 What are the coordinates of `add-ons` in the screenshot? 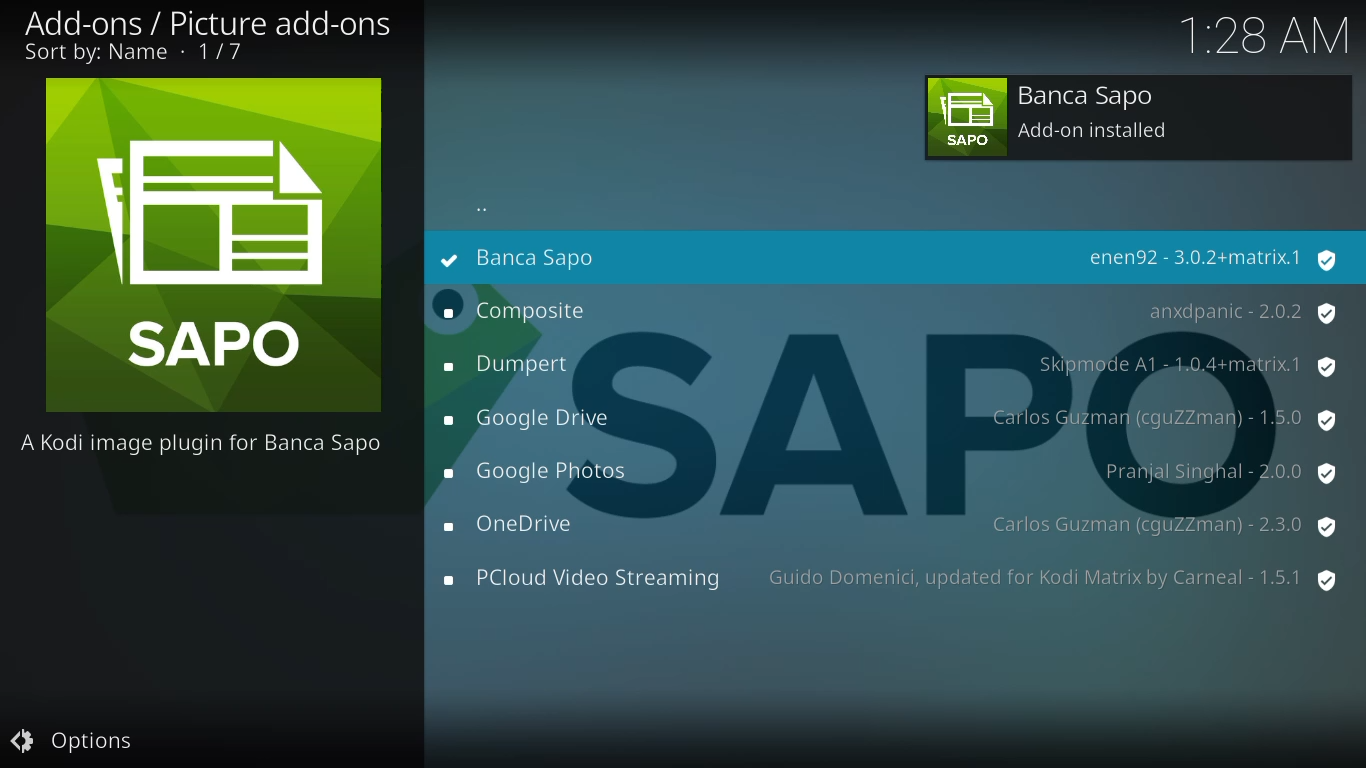 It's located at (250, 20).